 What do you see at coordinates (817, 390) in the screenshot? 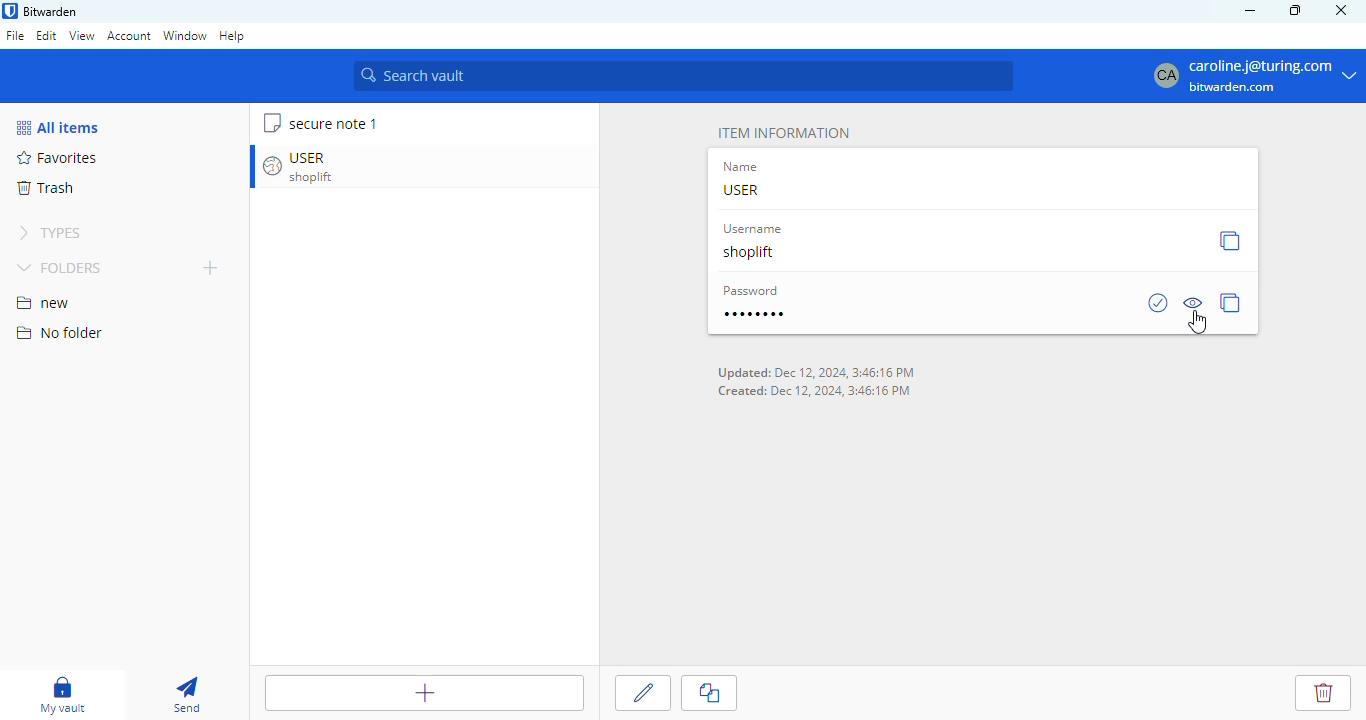
I see `Created: Dec 12. 2024 3:46:16 PM` at bounding box center [817, 390].